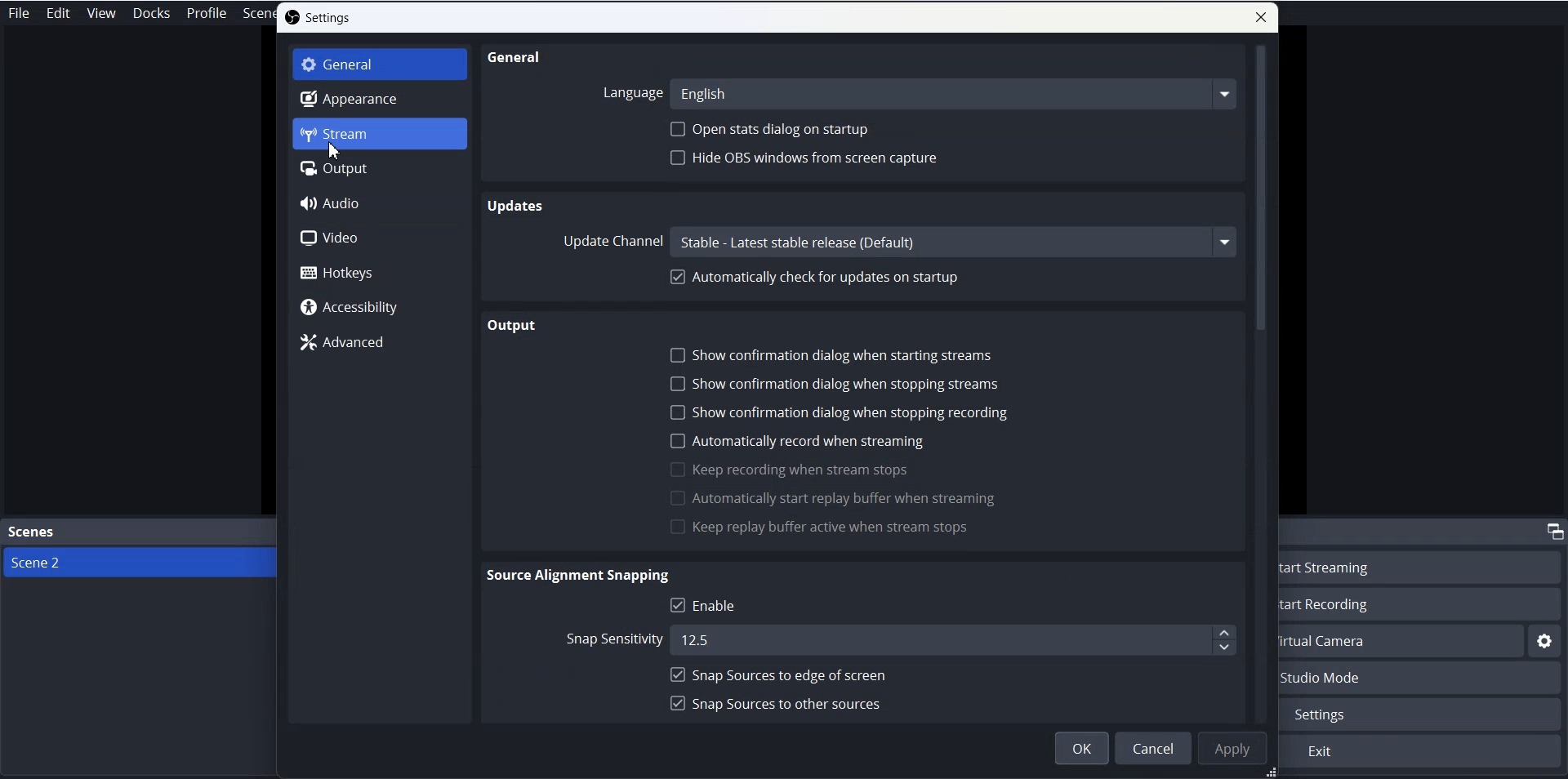 Image resolution: width=1568 pixels, height=779 pixels. I want to click on Start Virtual Camera, so click(1402, 641).